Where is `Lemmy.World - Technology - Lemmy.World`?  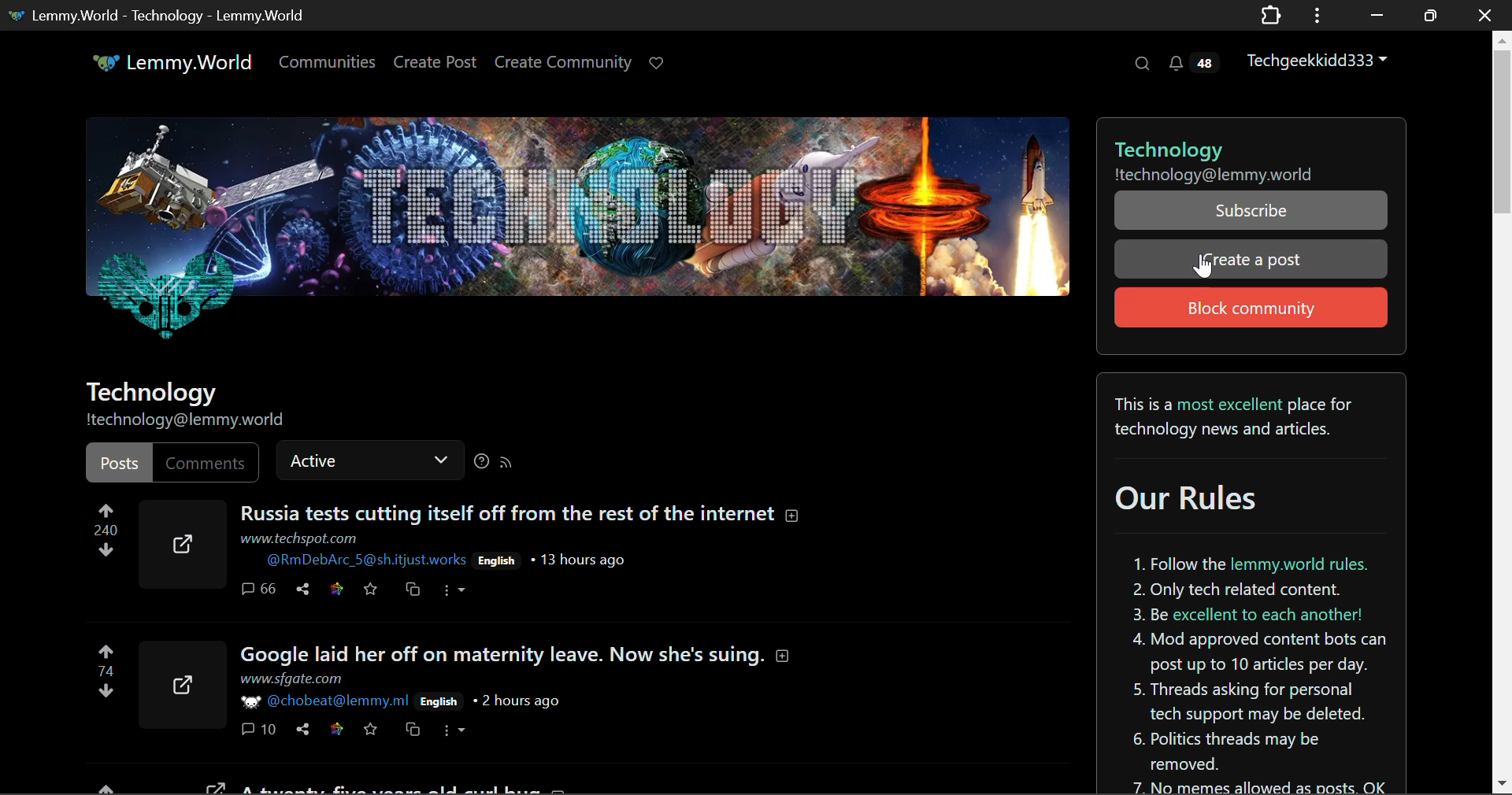
Lemmy.World - Technology - Lemmy.World is located at coordinates (160, 14).